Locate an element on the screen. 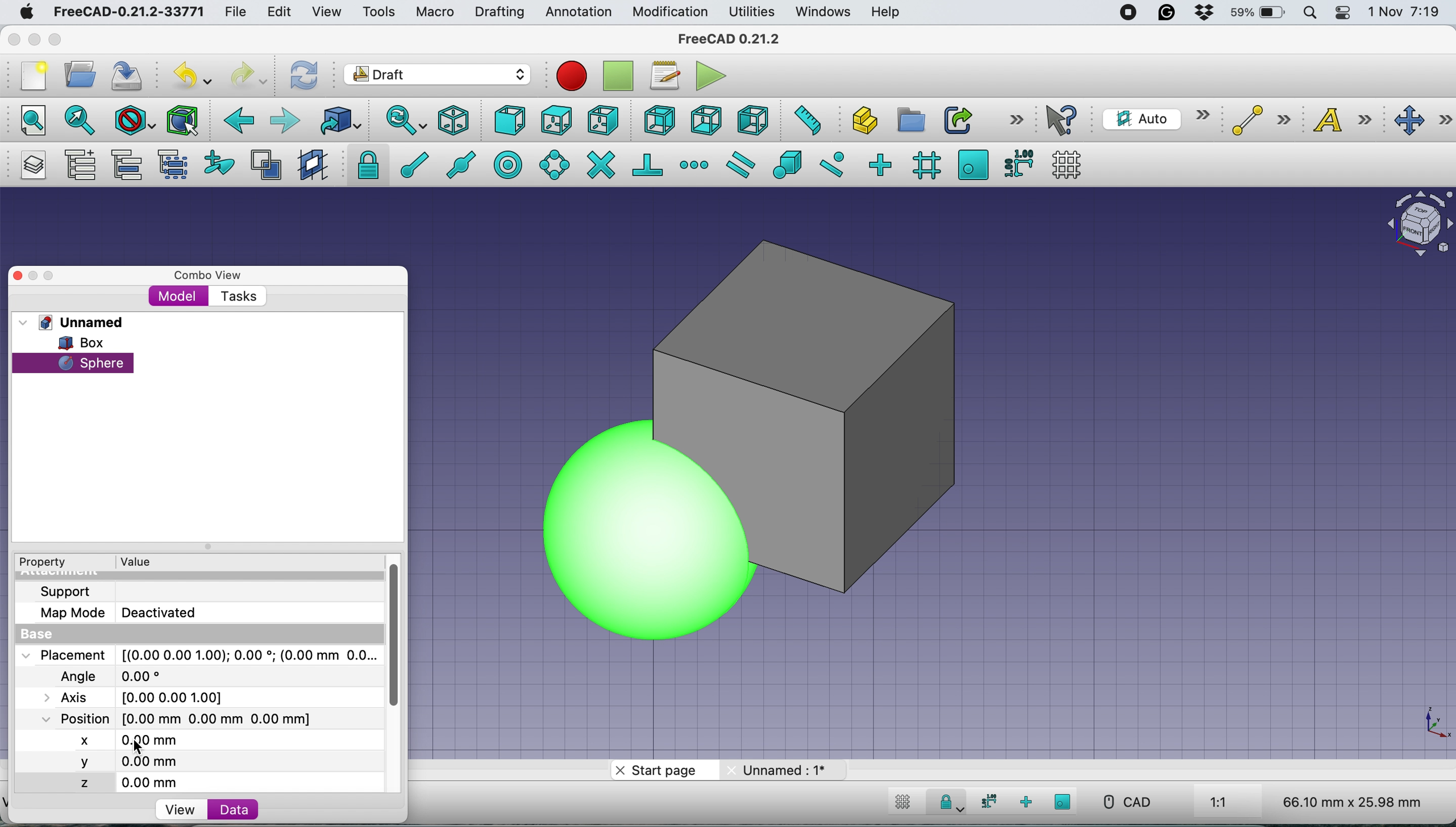  control center is located at coordinates (1343, 12).